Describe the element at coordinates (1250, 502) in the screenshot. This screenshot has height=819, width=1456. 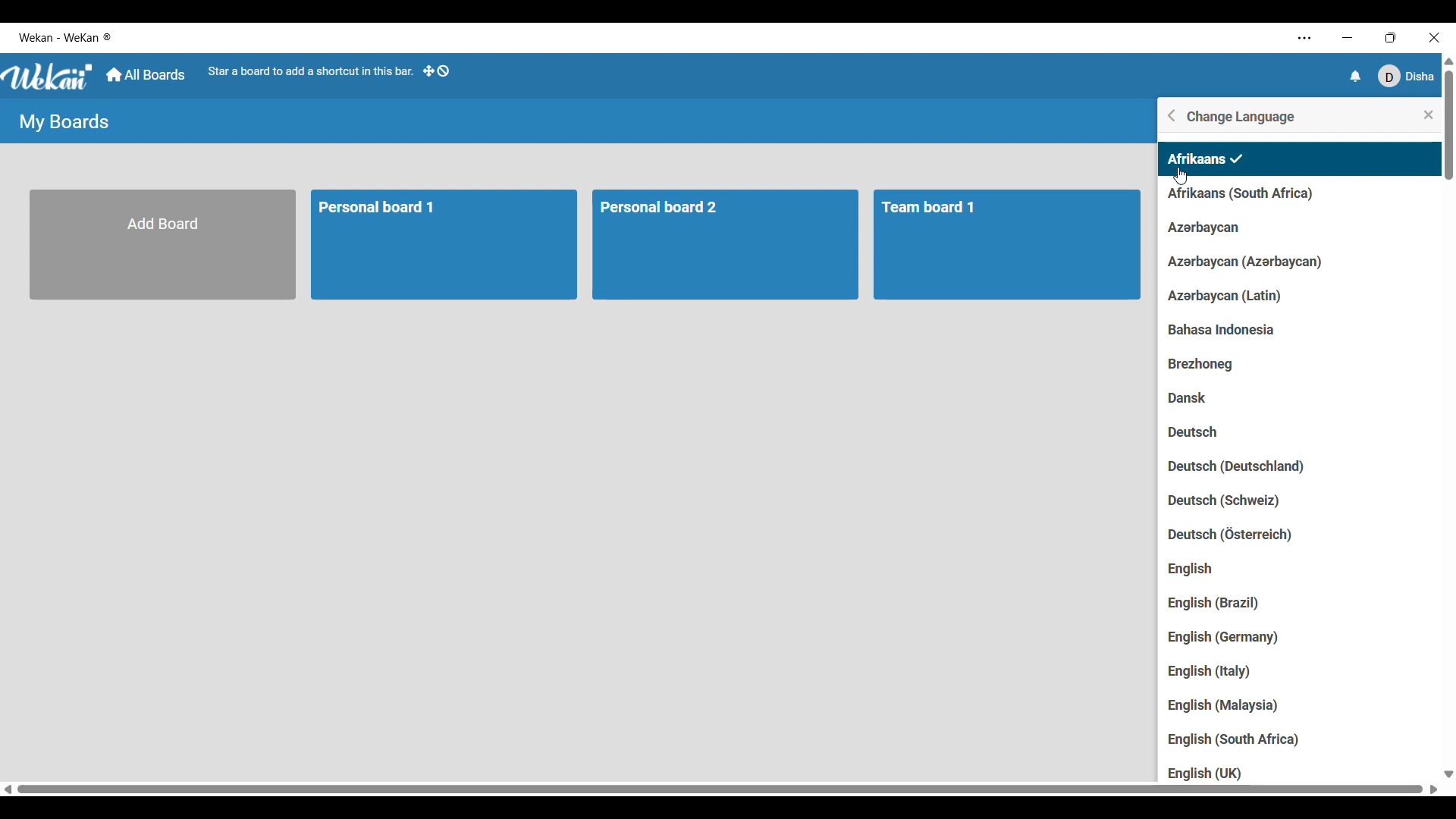
I see `Deutsch (Schweiz)` at that location.